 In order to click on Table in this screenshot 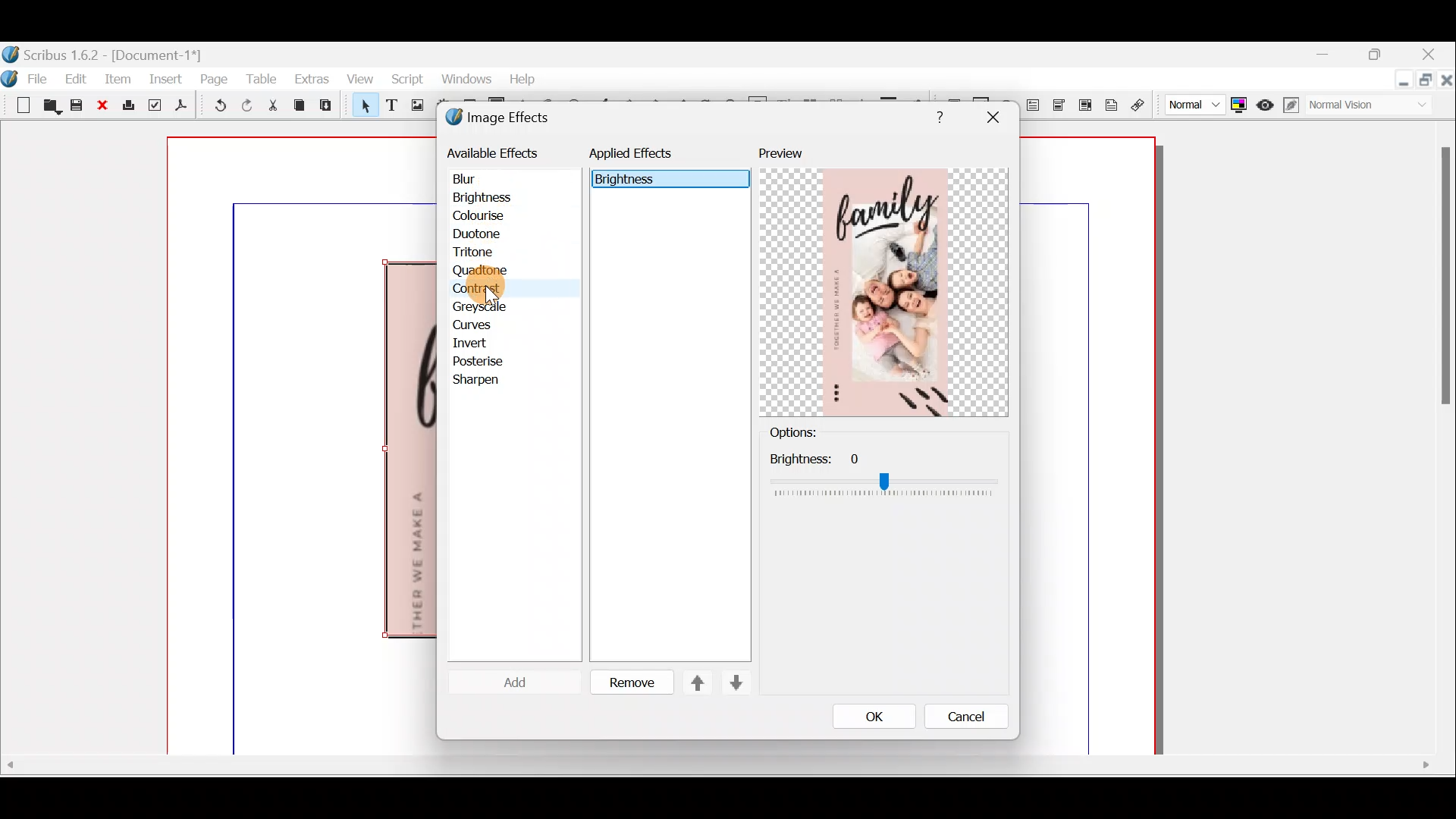, I will do `click(262, 76)`.